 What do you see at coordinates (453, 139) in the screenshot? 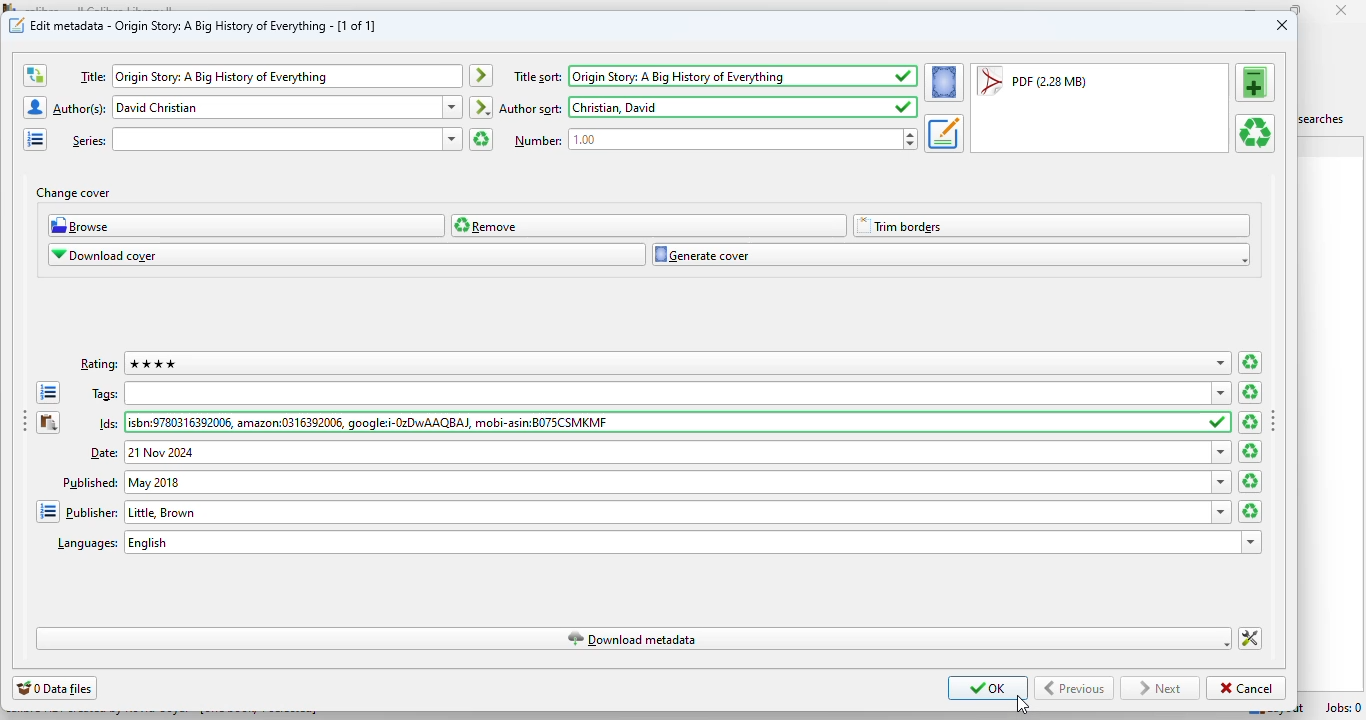
I see `dropdown` at bounding box center [453, 139].